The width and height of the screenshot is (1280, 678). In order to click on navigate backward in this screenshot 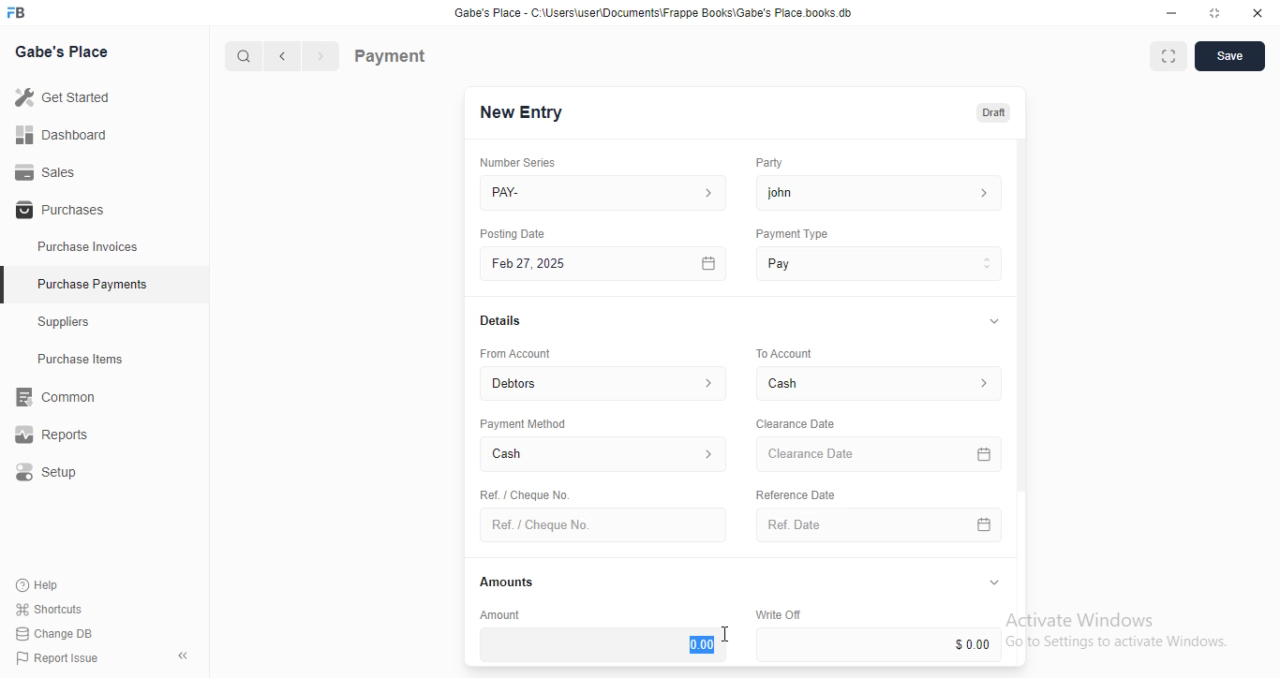, I will do `click(286, 58)`.